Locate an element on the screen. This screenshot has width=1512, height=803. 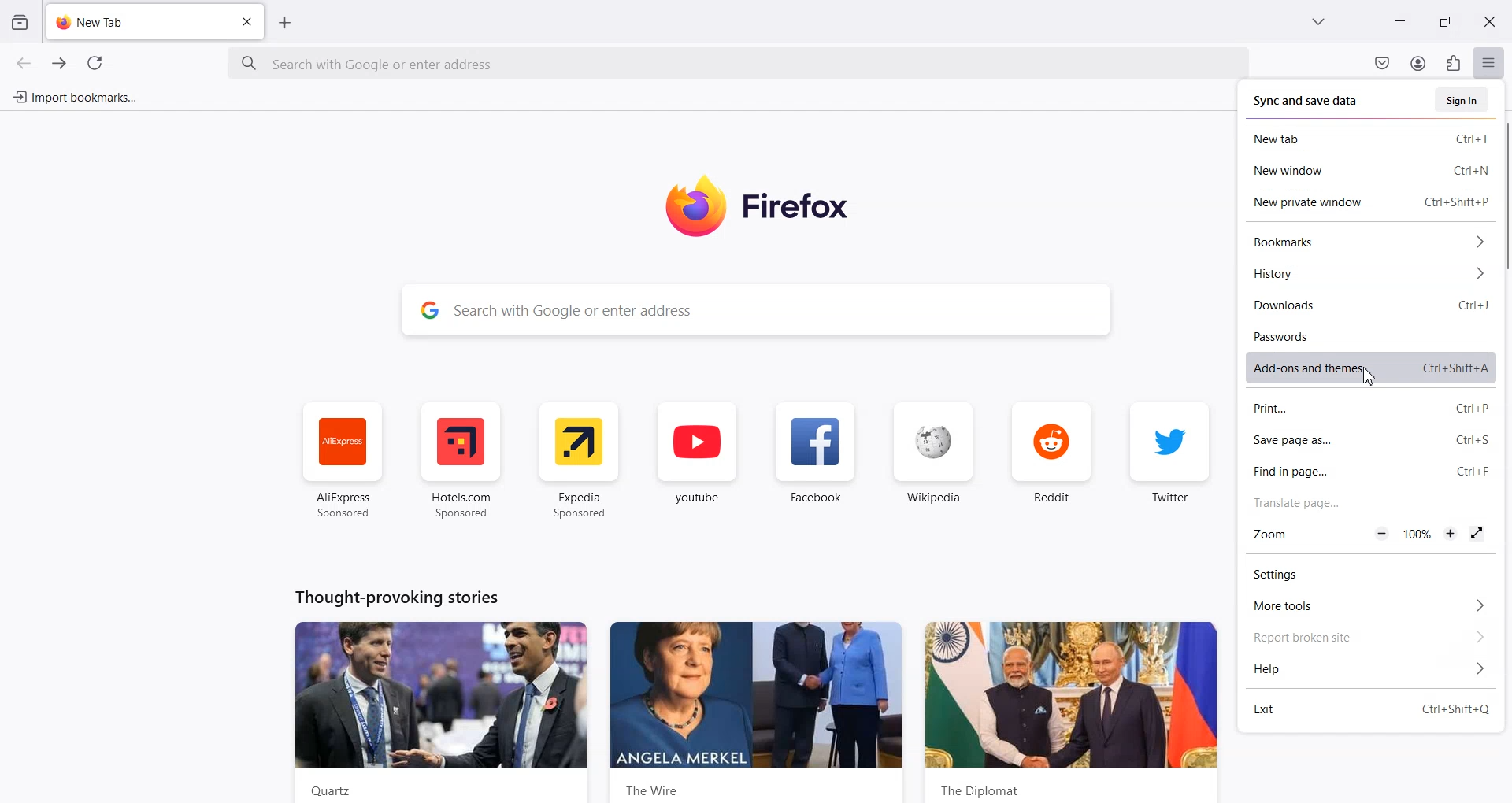
Facebook is located at coordinates (816, 457).